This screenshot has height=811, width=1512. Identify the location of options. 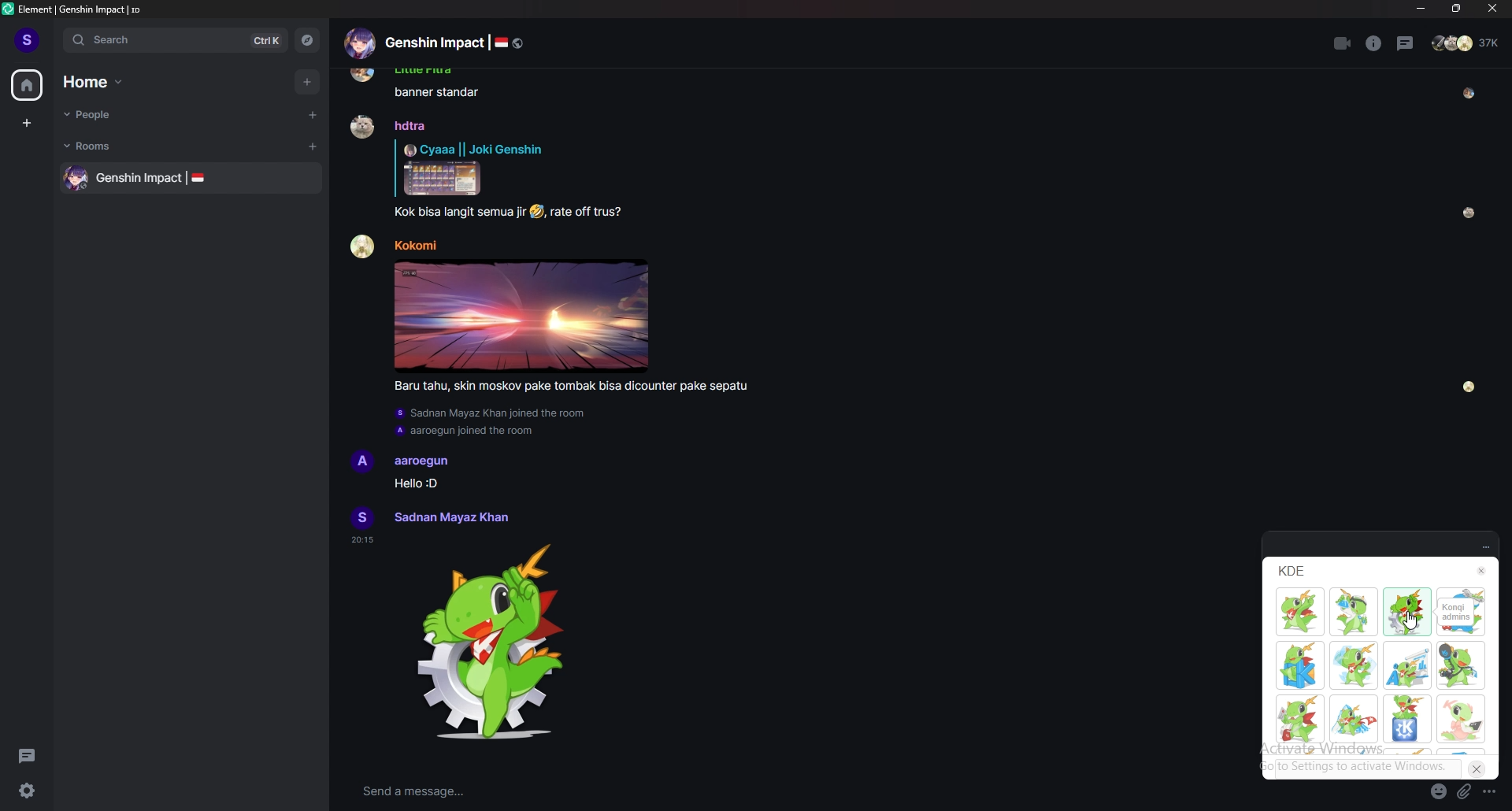
(1486, 548).